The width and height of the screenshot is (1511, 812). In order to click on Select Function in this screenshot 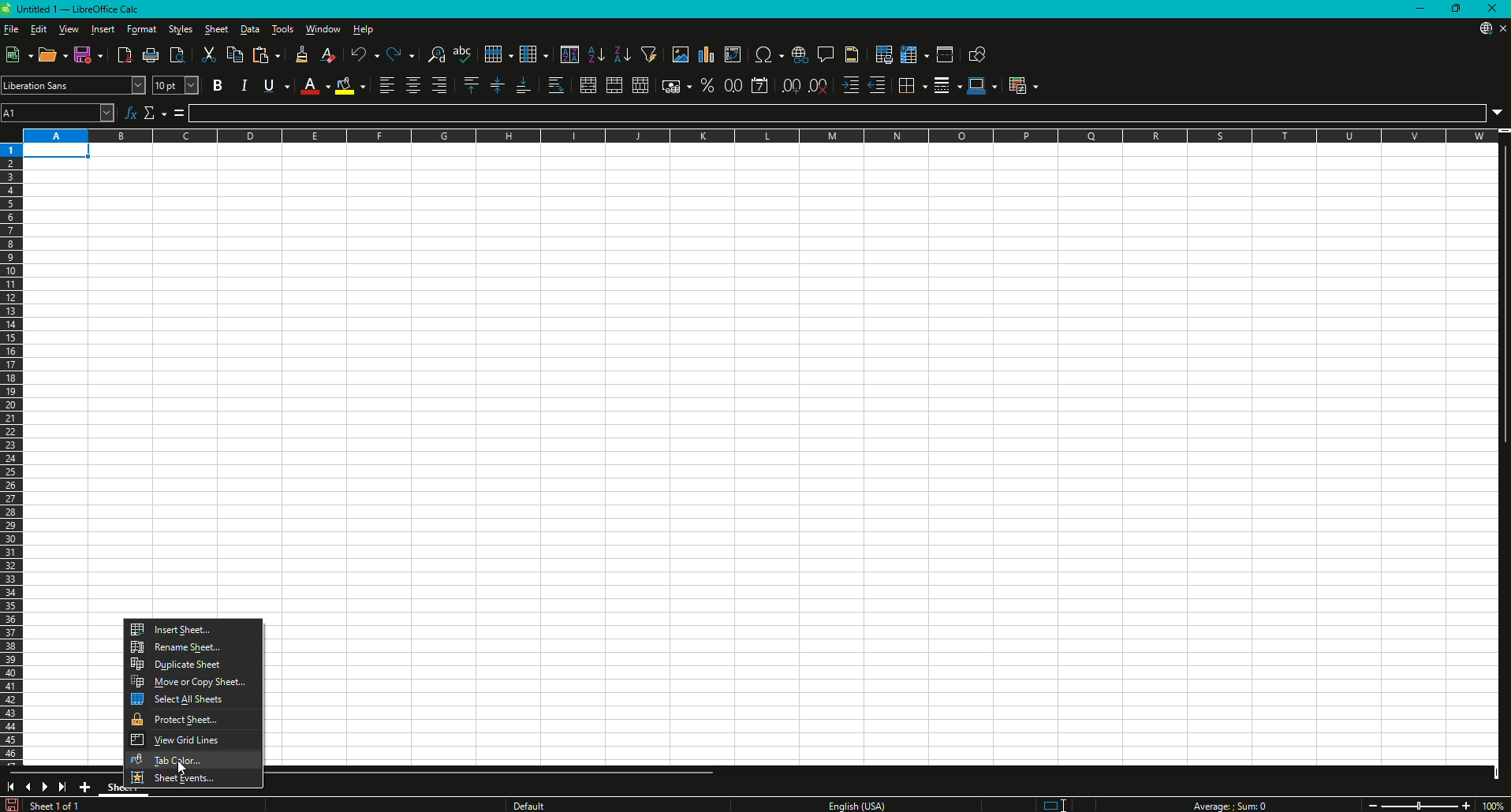, I will do `click(155, 113)`.